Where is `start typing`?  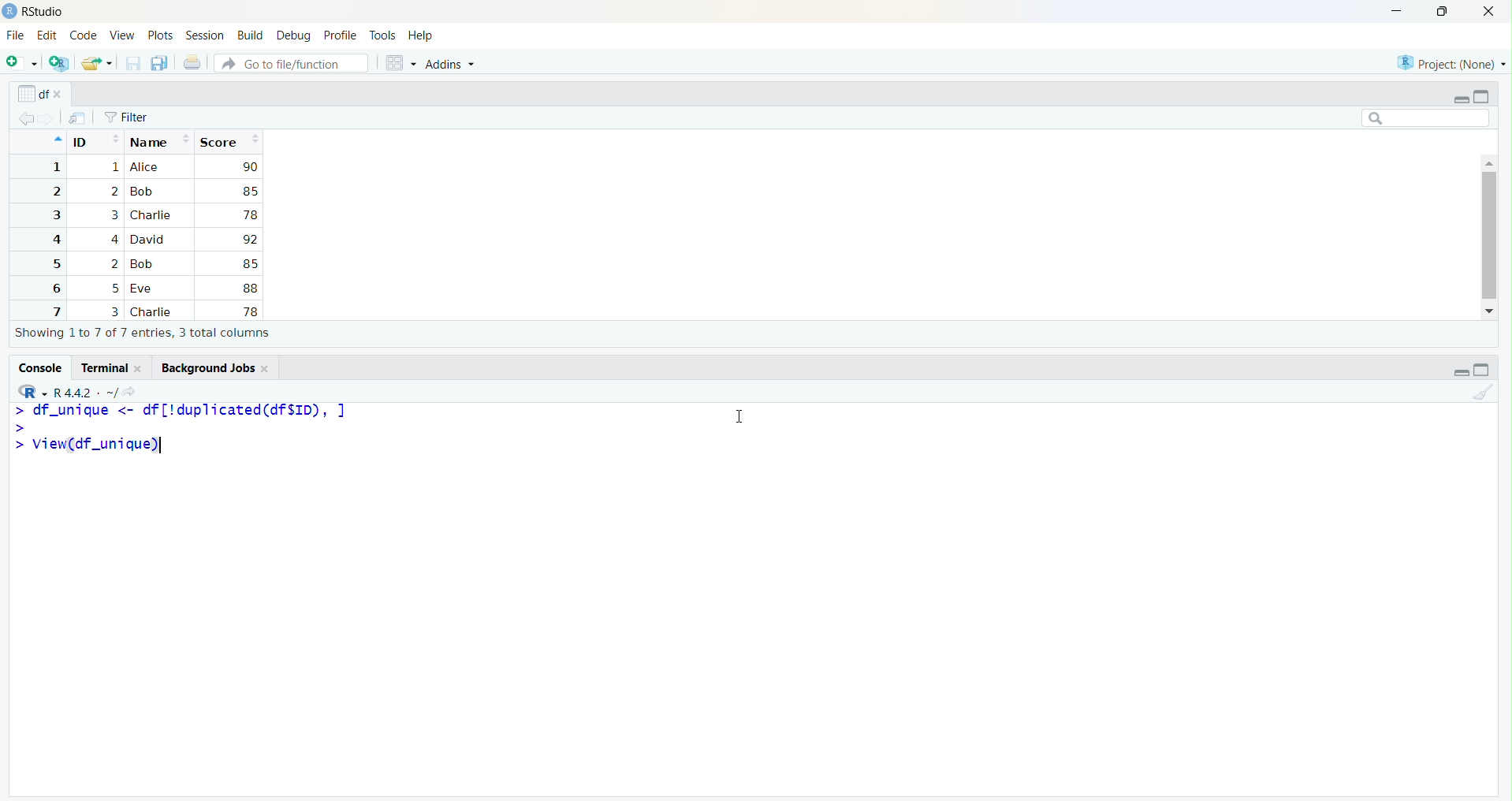
start typing is located at coordinates (17, 427).